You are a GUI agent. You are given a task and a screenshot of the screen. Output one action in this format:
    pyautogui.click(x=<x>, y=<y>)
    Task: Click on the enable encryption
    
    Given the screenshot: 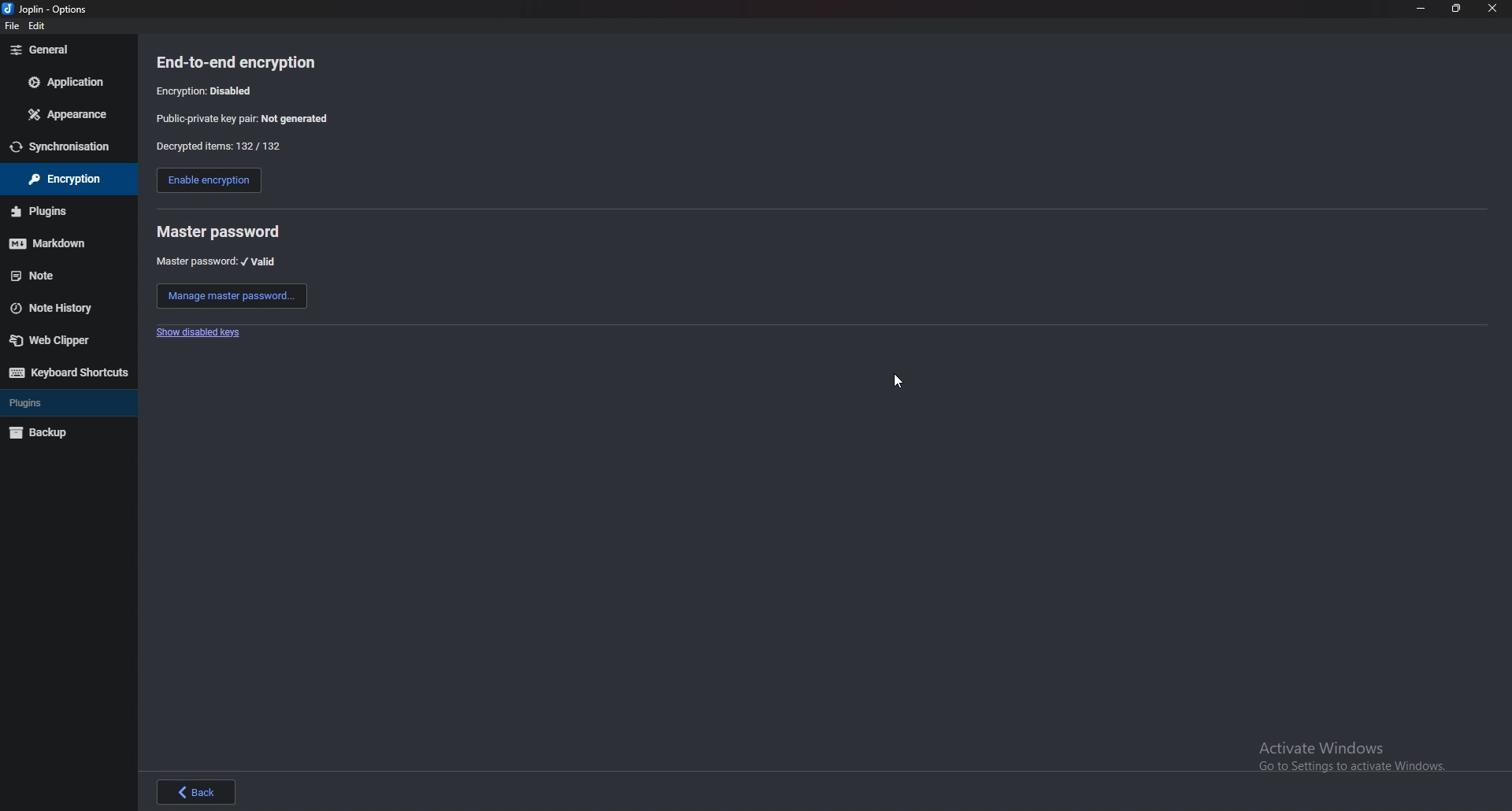 What is the action you would take?
    pyautogui.click(x=208, y=182)
    